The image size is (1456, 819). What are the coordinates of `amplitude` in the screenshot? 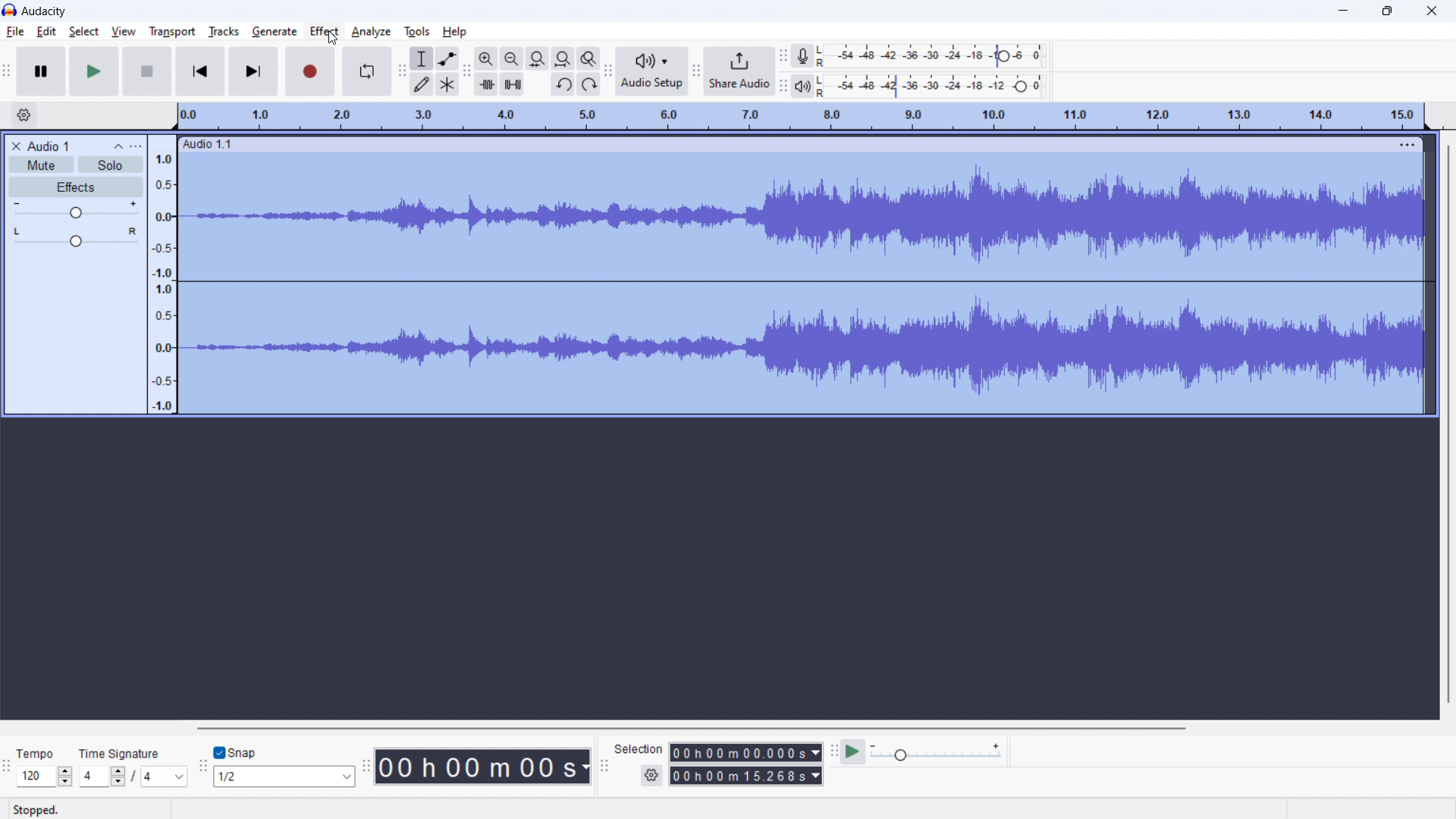 It's located at (162, 273).